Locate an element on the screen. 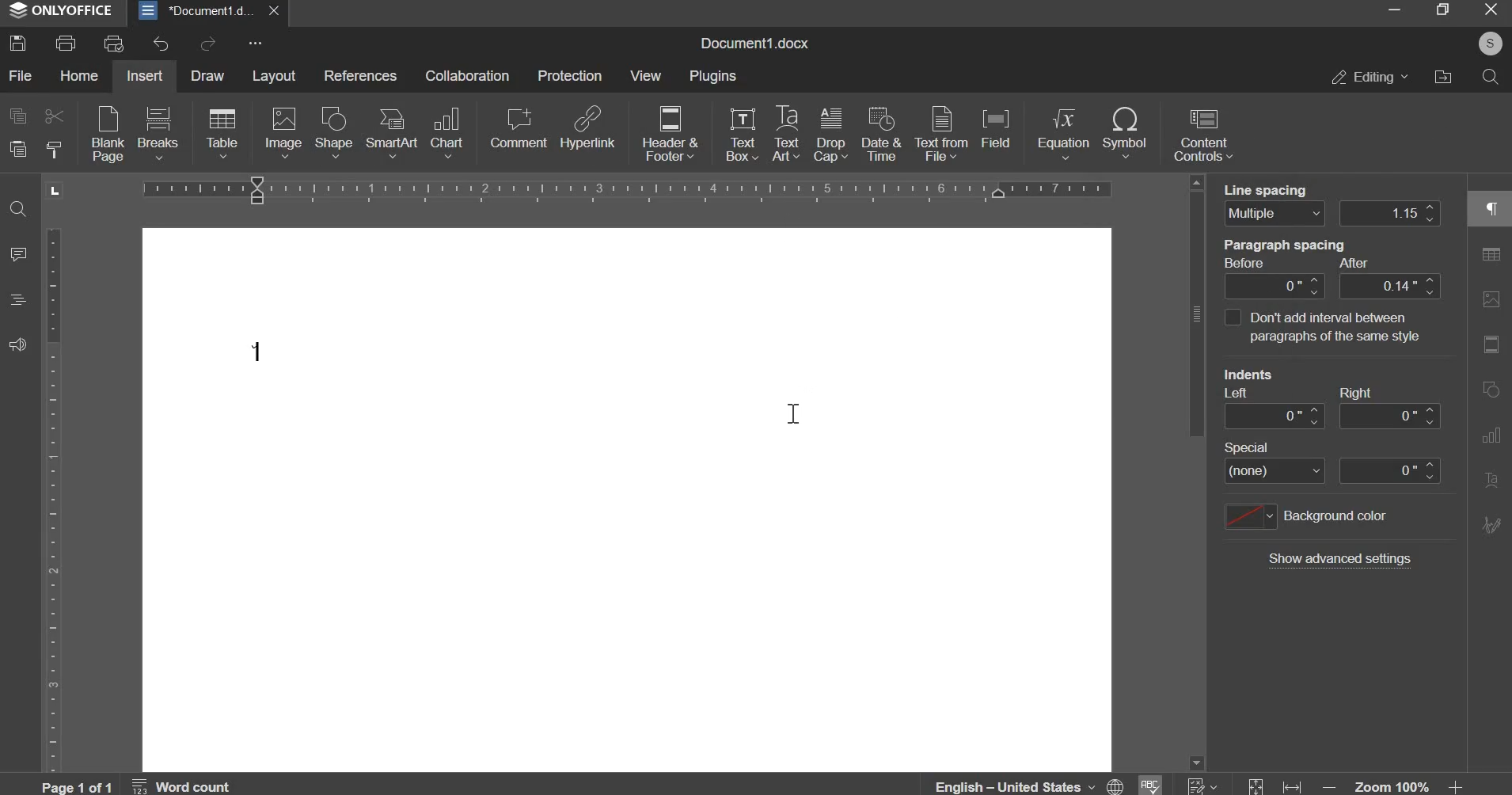 The image size is (1512, 795). breaks is located at coordinates (158, 133).